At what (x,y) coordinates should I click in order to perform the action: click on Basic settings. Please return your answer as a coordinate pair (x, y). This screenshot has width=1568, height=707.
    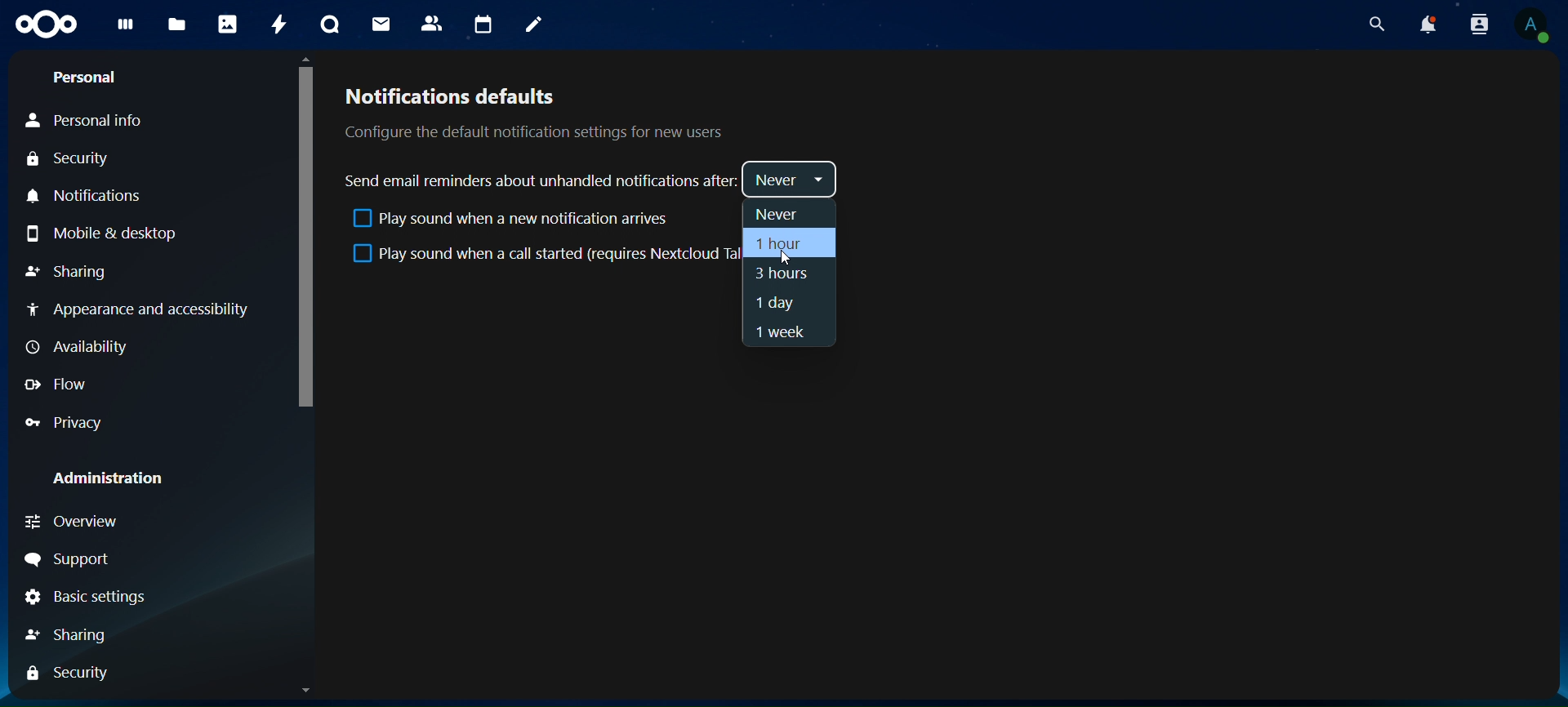
    Looking at the image, I should click on (82, 598).